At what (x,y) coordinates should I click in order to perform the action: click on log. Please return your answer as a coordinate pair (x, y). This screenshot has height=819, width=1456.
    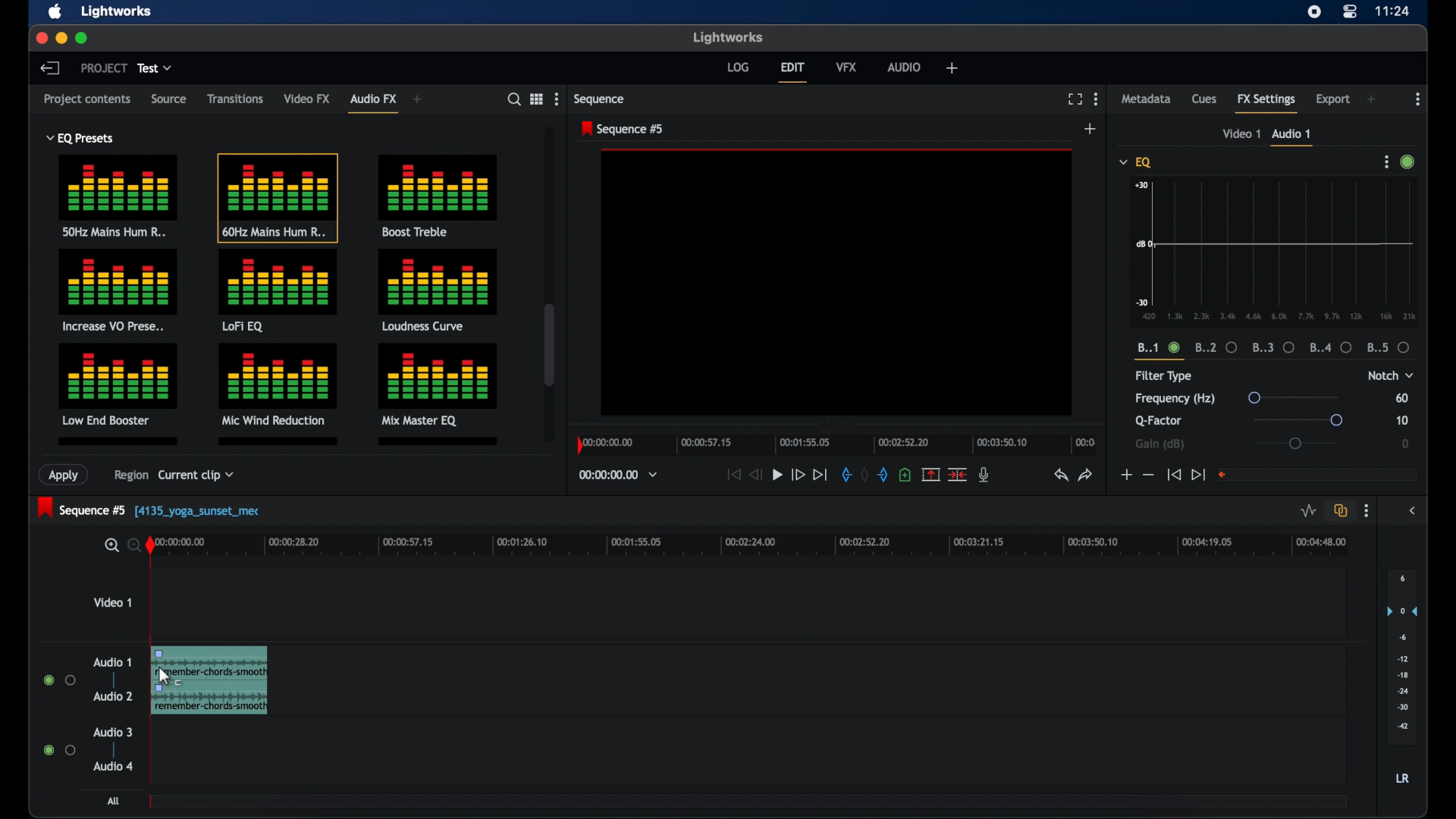
    Looking at the image, I should click on (738, 67).